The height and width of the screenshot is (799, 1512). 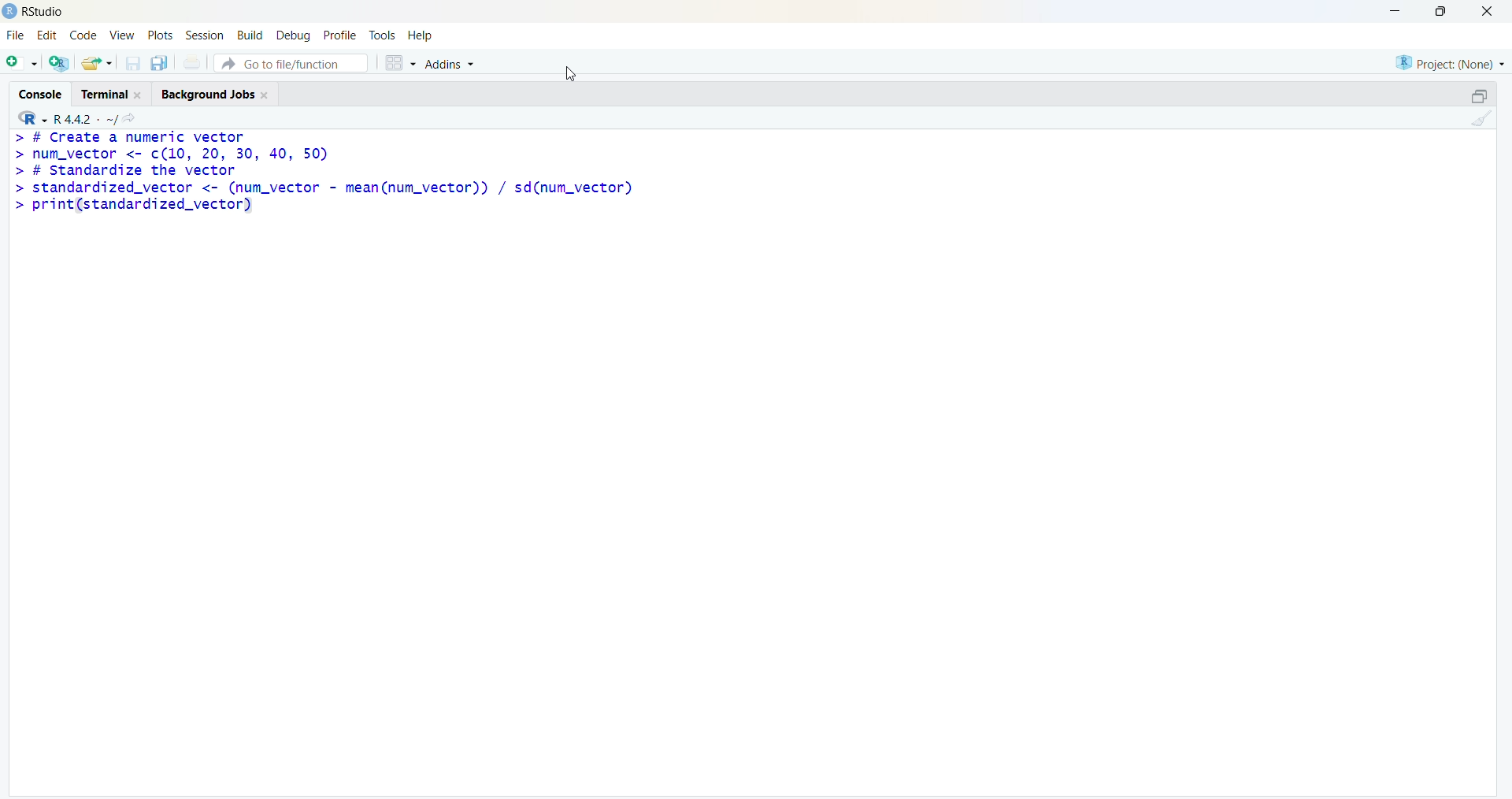 What do you see at coordinates (208, 95) in the screenshot?
I see `Background jobs` at bounding box center [208, 95].